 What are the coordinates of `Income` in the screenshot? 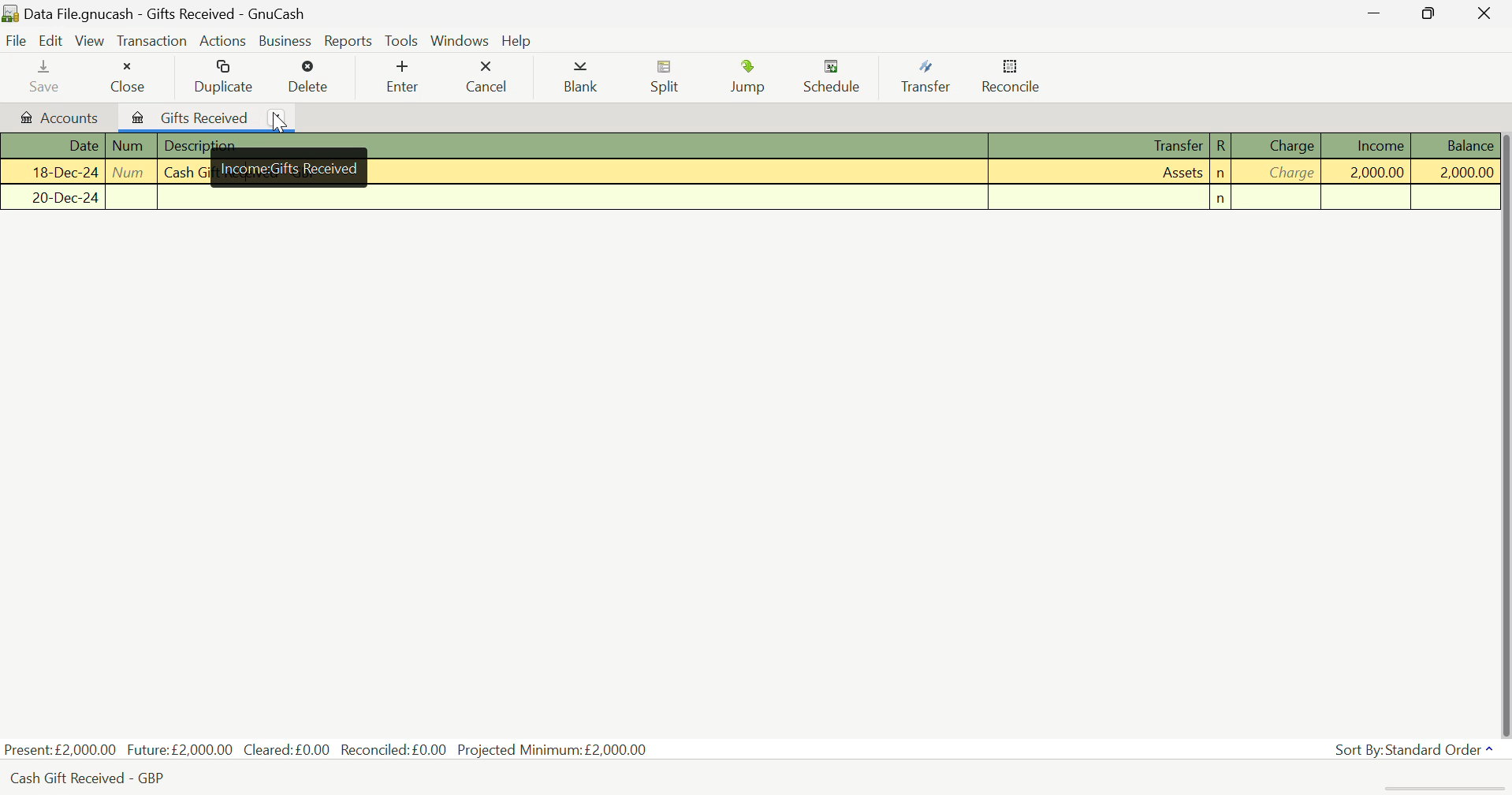 It's located at (1369, 198).